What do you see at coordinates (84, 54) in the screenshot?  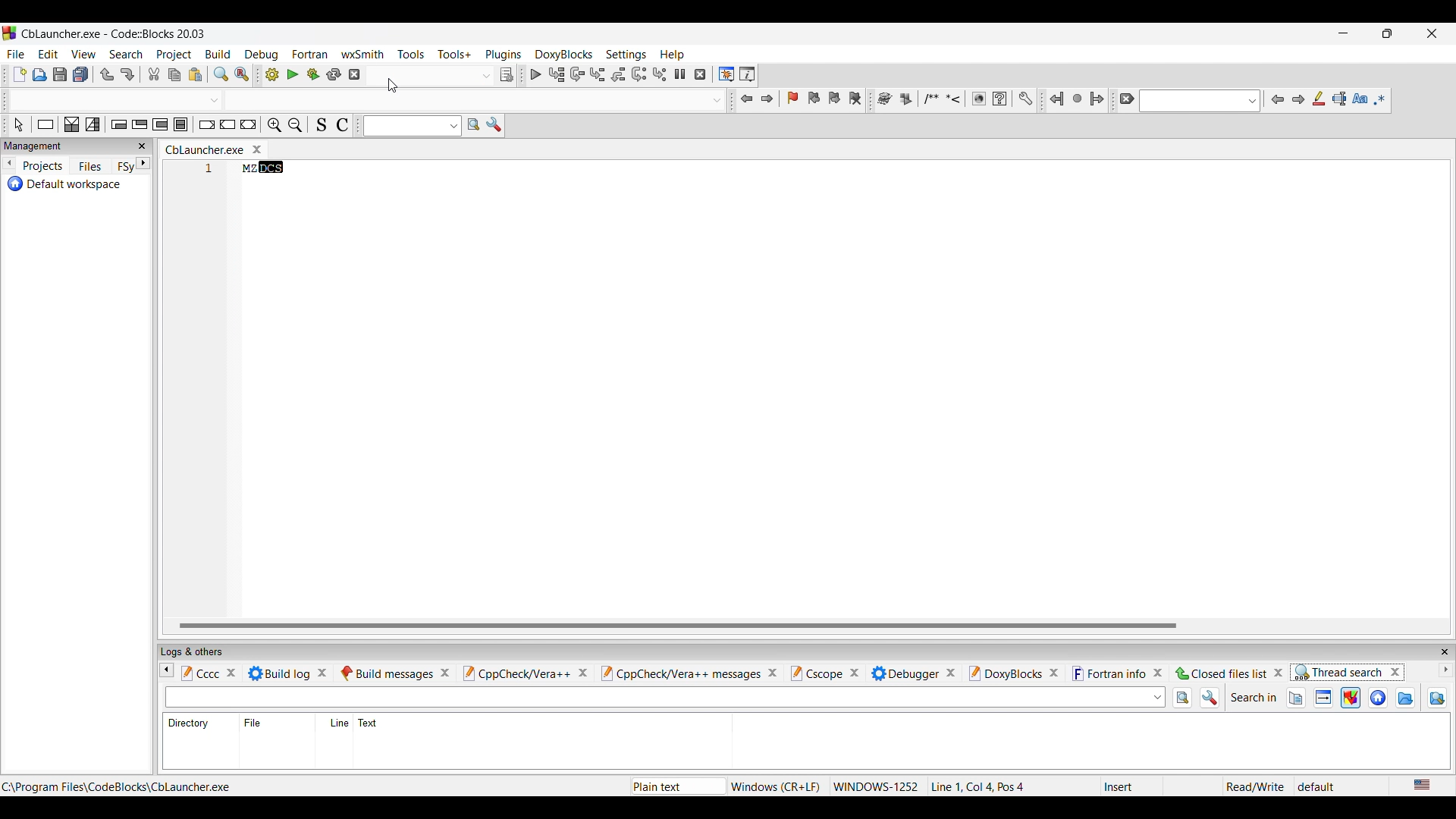 I see `View menu` at bounding box center [84, 54].